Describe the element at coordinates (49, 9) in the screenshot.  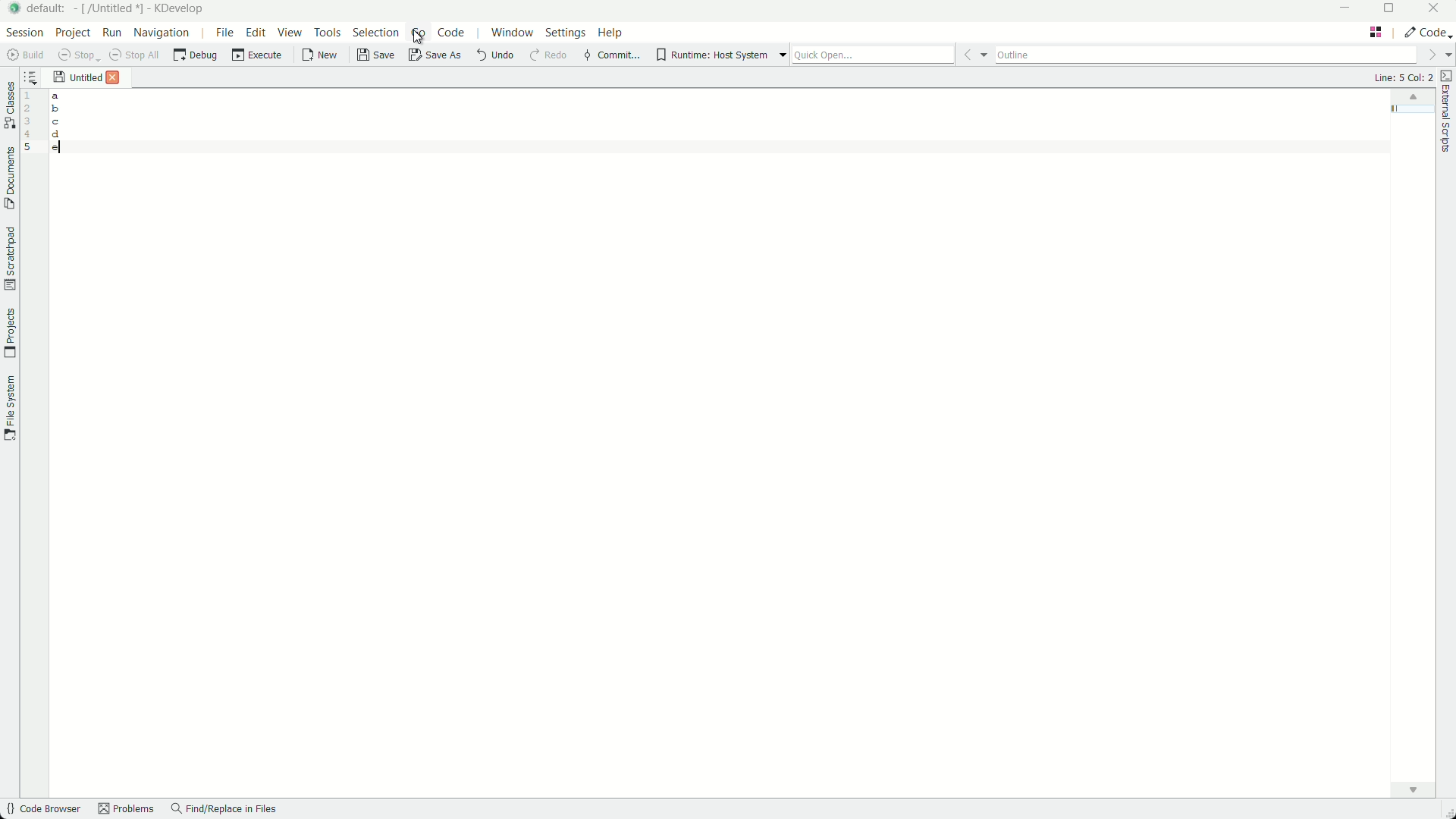
I see `default` at that location.